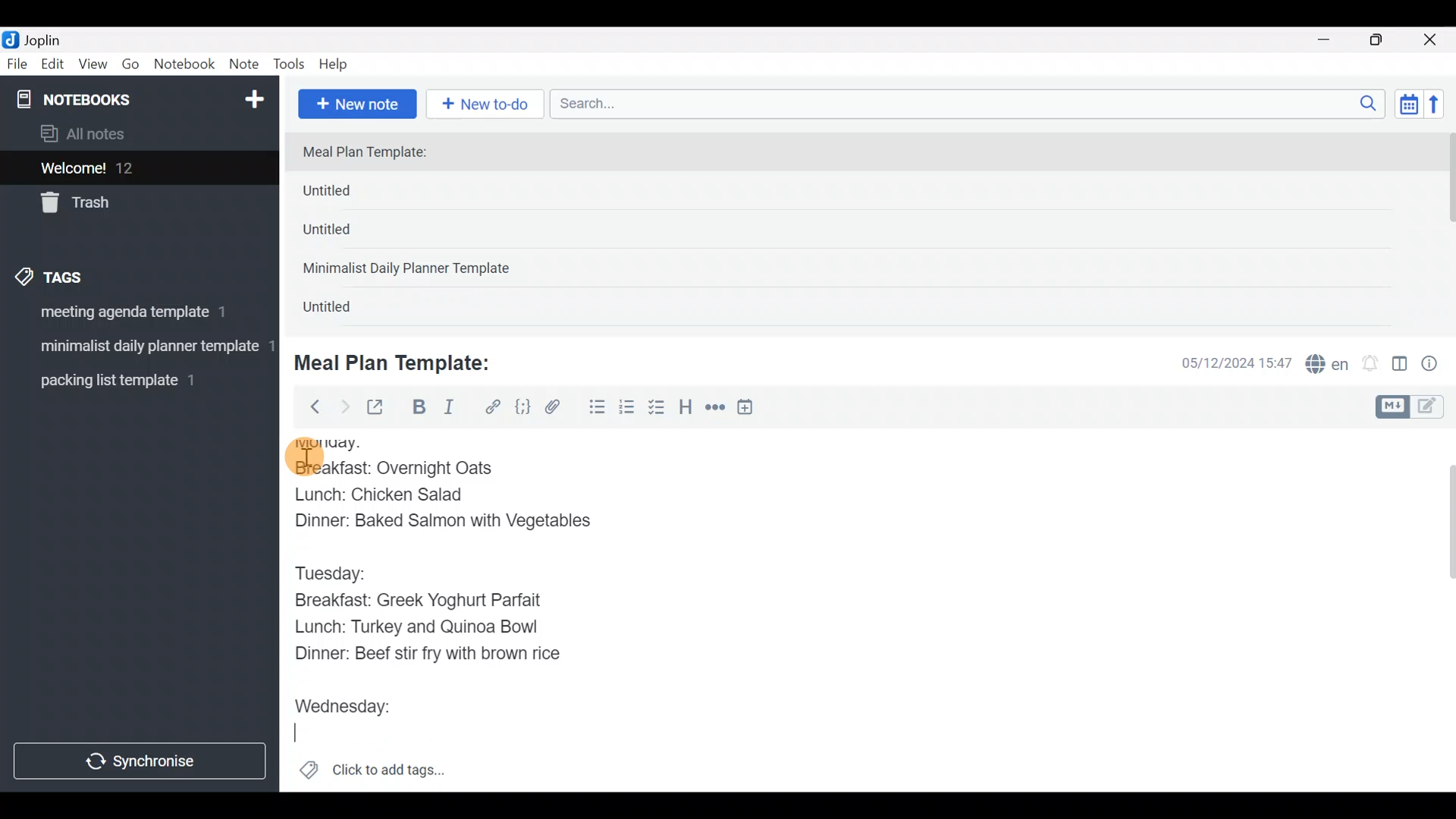 This screenshot has height=819, width=1456. Describe the element at coordinates (971, 102) in the screenshot. I see `Search bar` at that location.